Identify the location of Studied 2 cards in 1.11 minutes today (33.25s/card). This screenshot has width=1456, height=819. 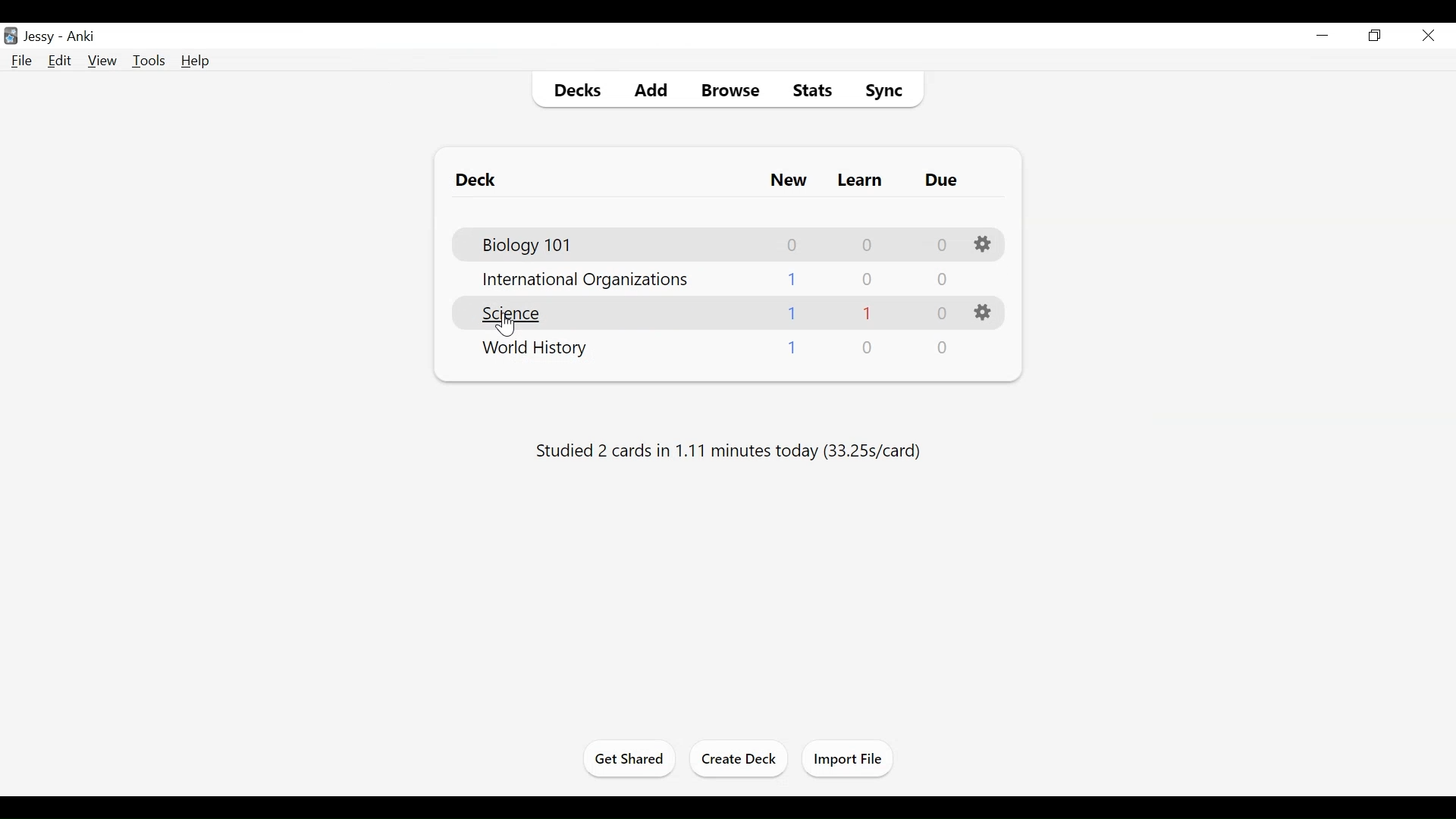
(727, 450).